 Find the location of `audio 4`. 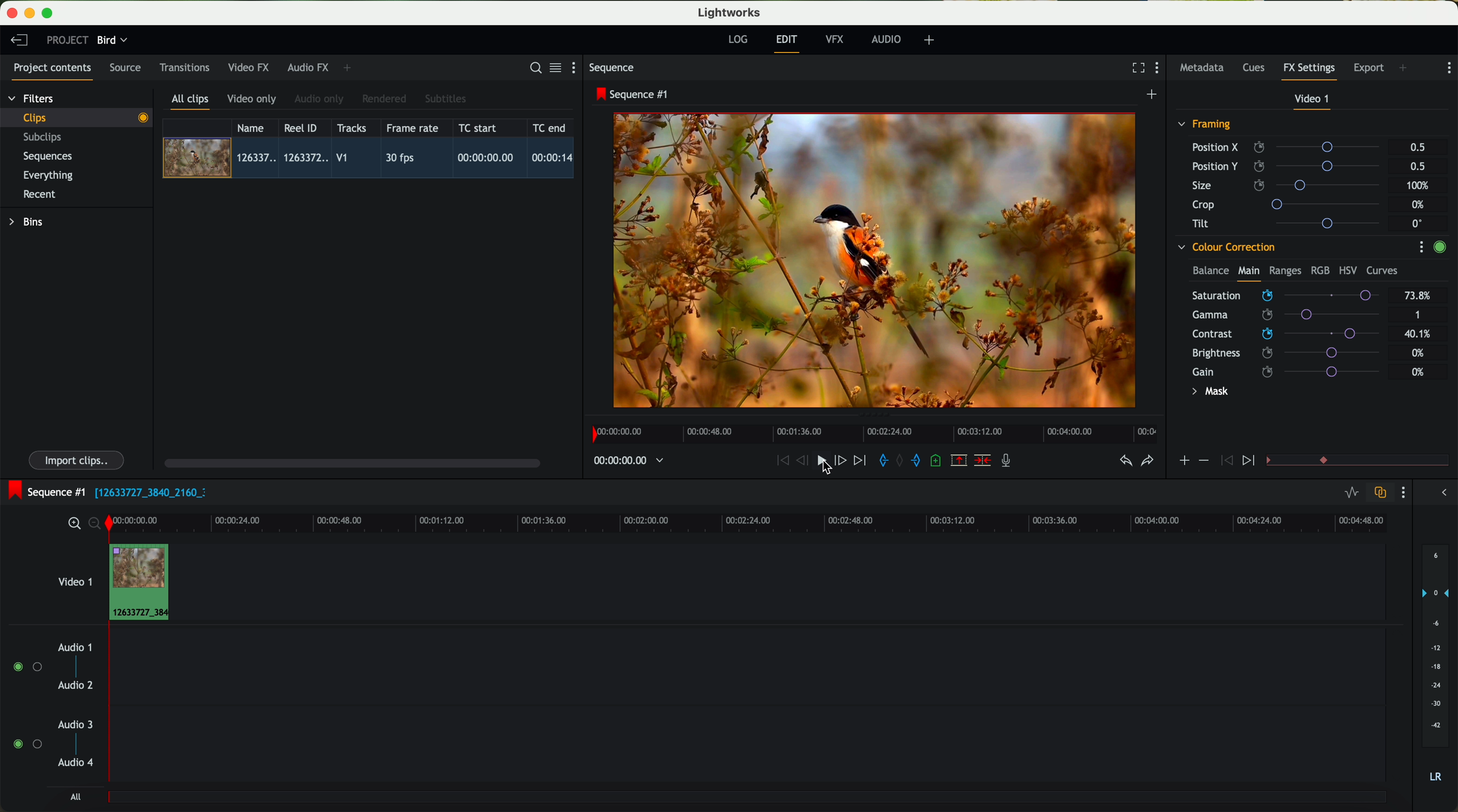

audio 4 is located at coordinates (76, 763).